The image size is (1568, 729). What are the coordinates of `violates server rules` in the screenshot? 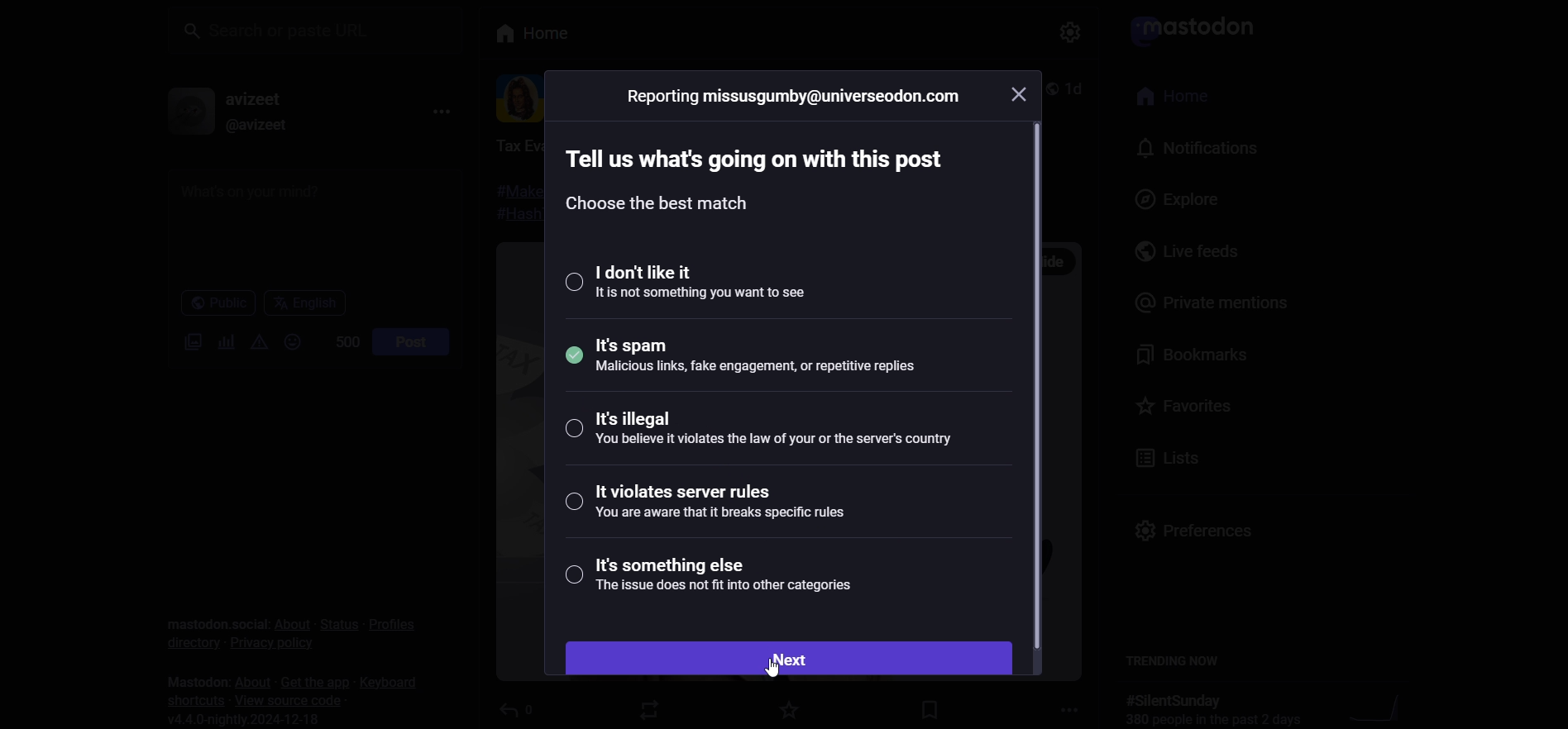 It's located at (700, 503).